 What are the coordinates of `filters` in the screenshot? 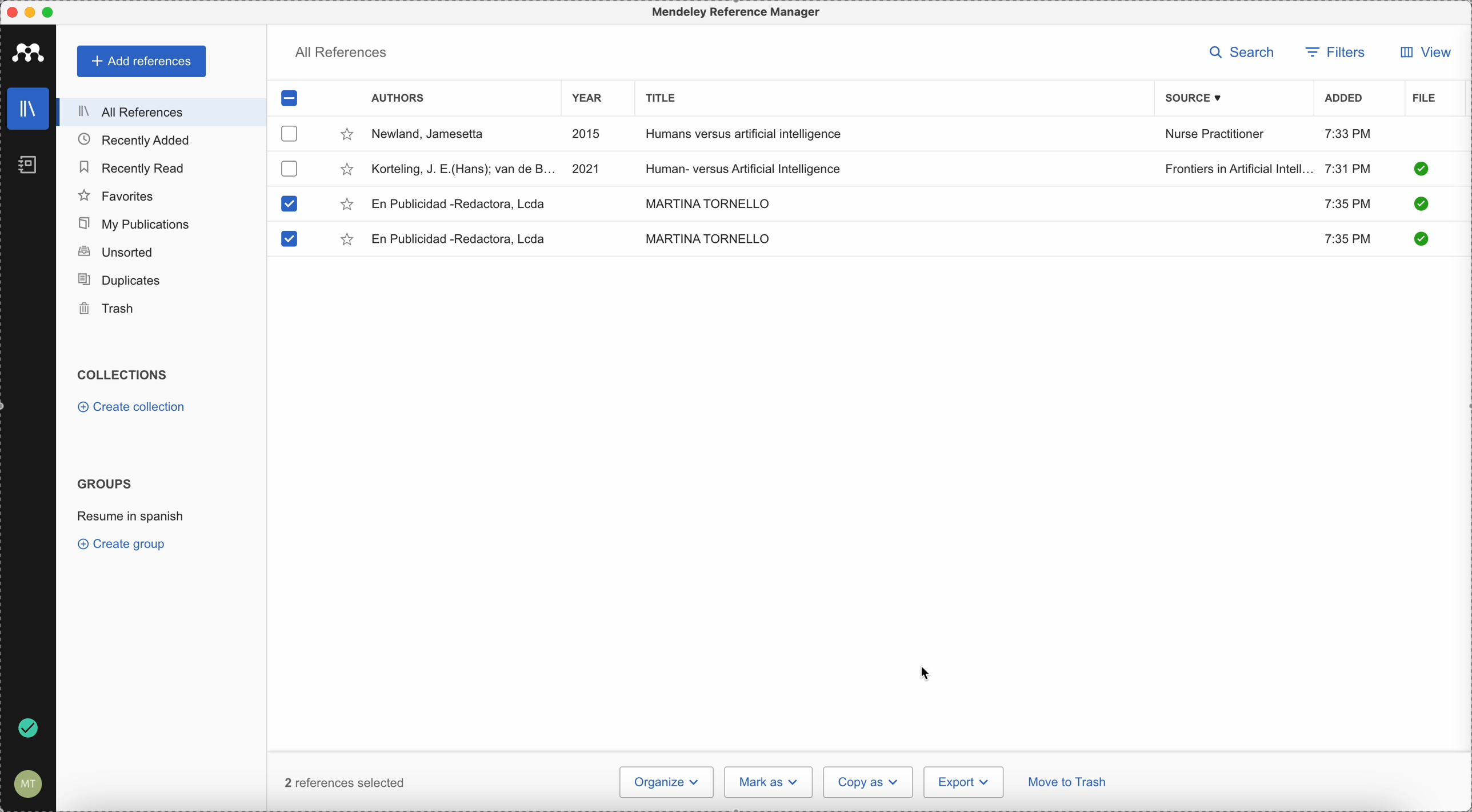 It's located at (1335, 54).